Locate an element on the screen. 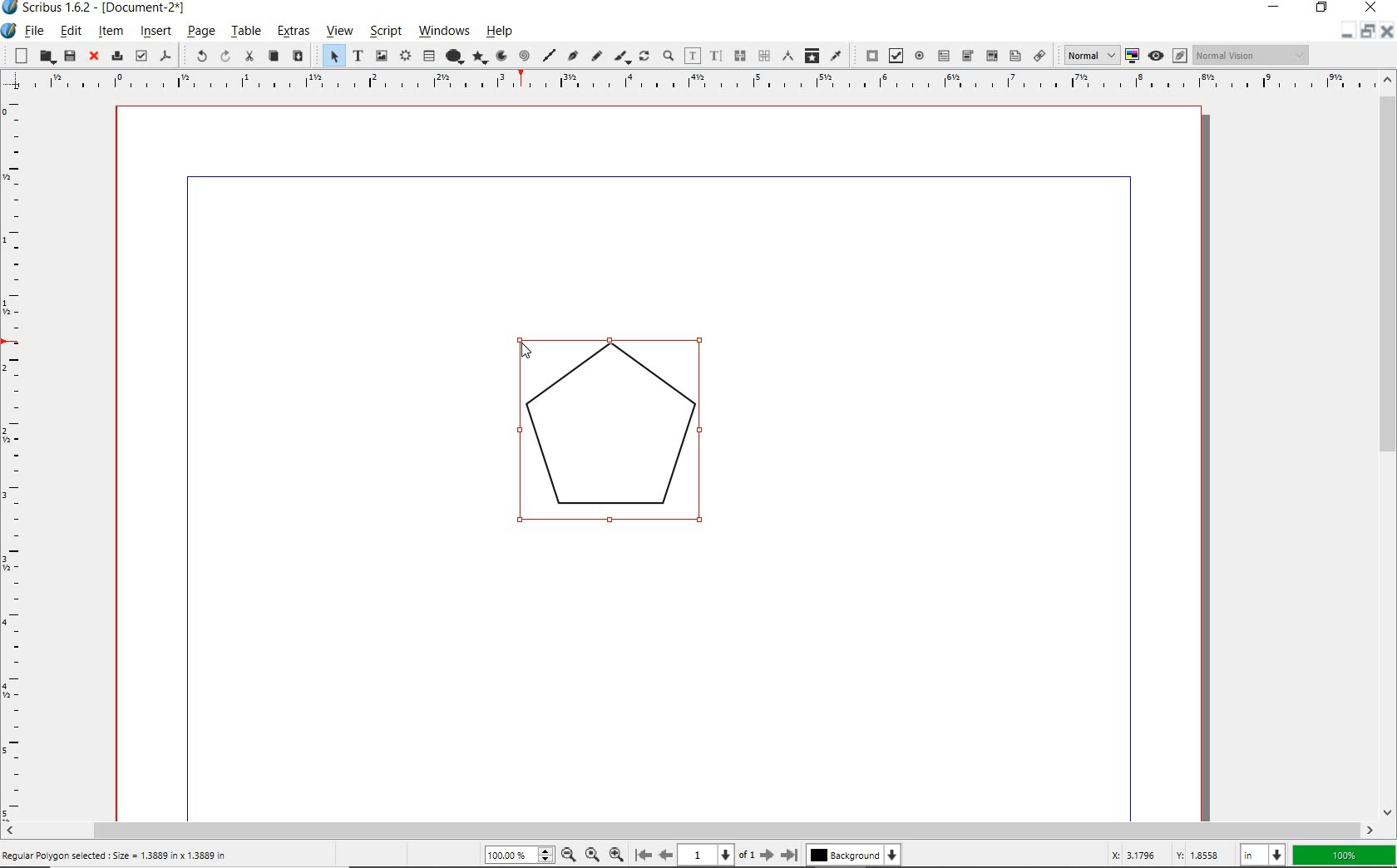 This screenshot has height=868, width=1397. close document is located at coordinates (1385, 31).